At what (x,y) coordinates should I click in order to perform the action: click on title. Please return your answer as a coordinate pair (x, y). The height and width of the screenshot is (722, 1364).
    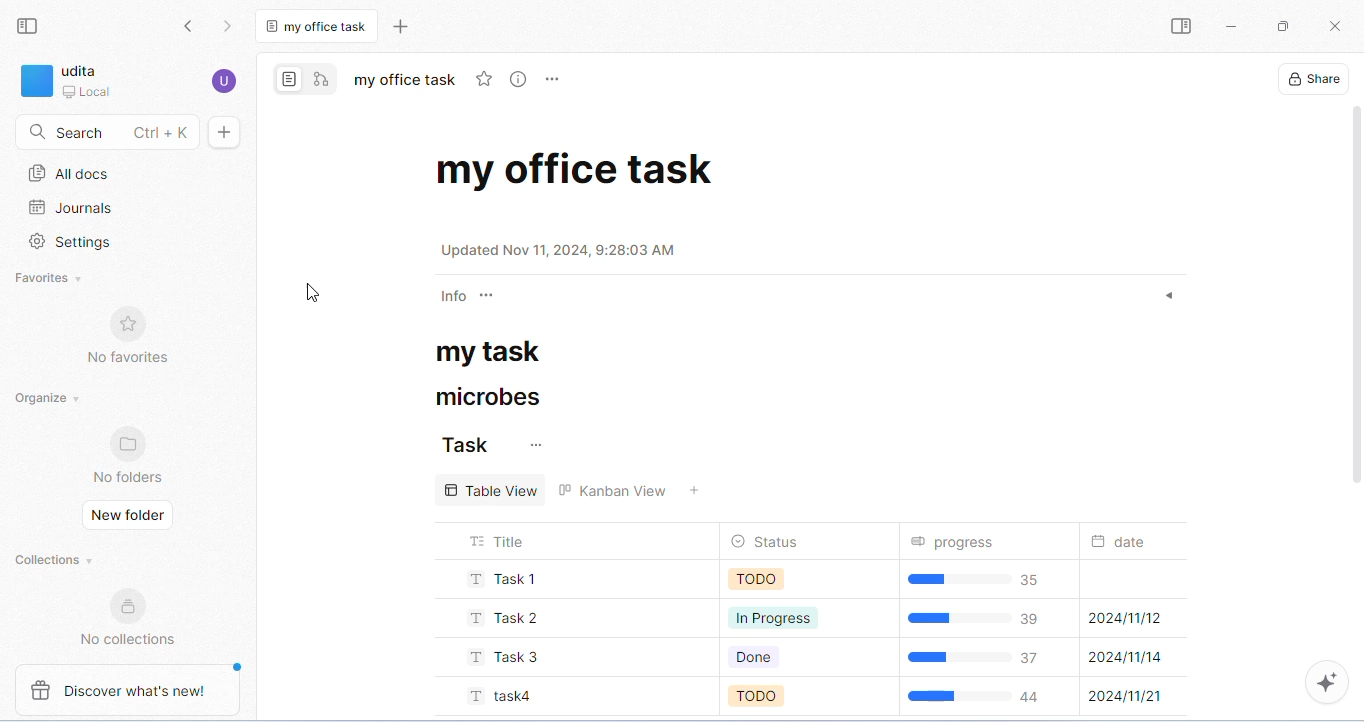
    Looking at the image, I should click on (500, 539).